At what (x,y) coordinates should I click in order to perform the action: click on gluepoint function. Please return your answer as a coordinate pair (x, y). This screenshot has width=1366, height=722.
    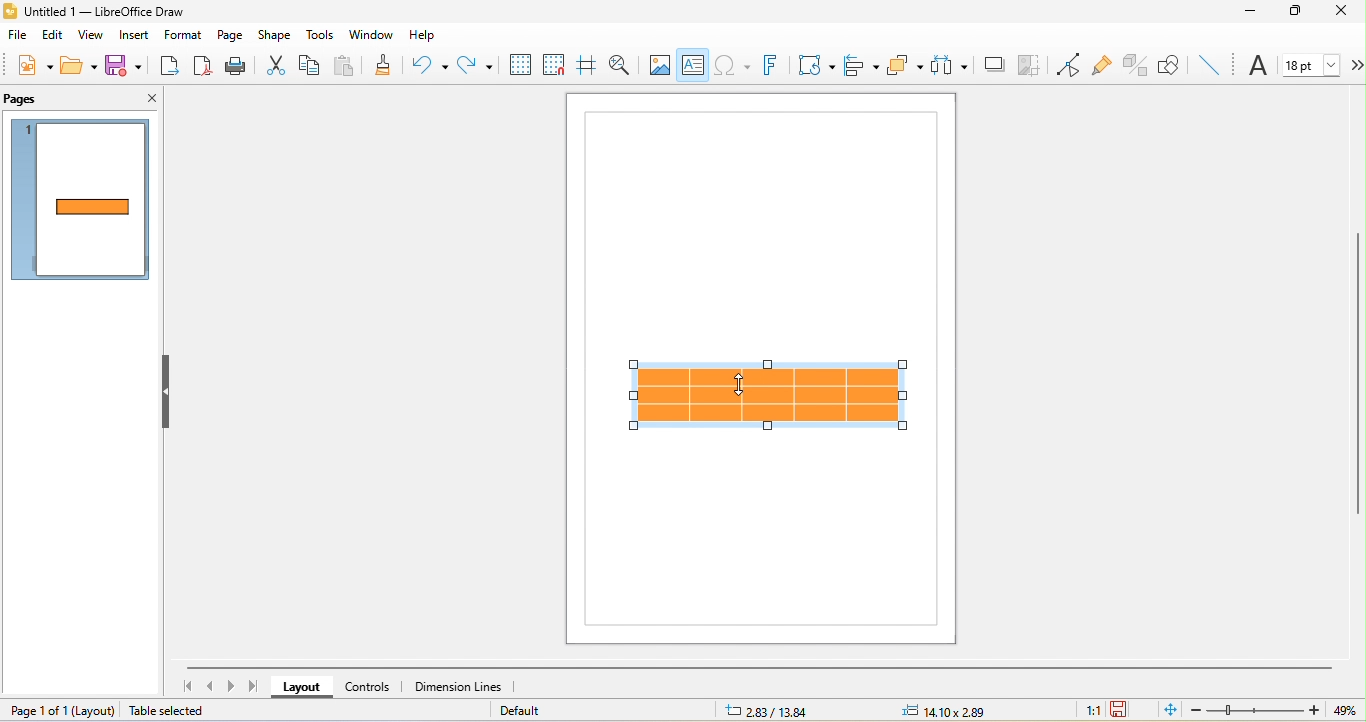
    Looking at the image, I should click on (1104, 65).